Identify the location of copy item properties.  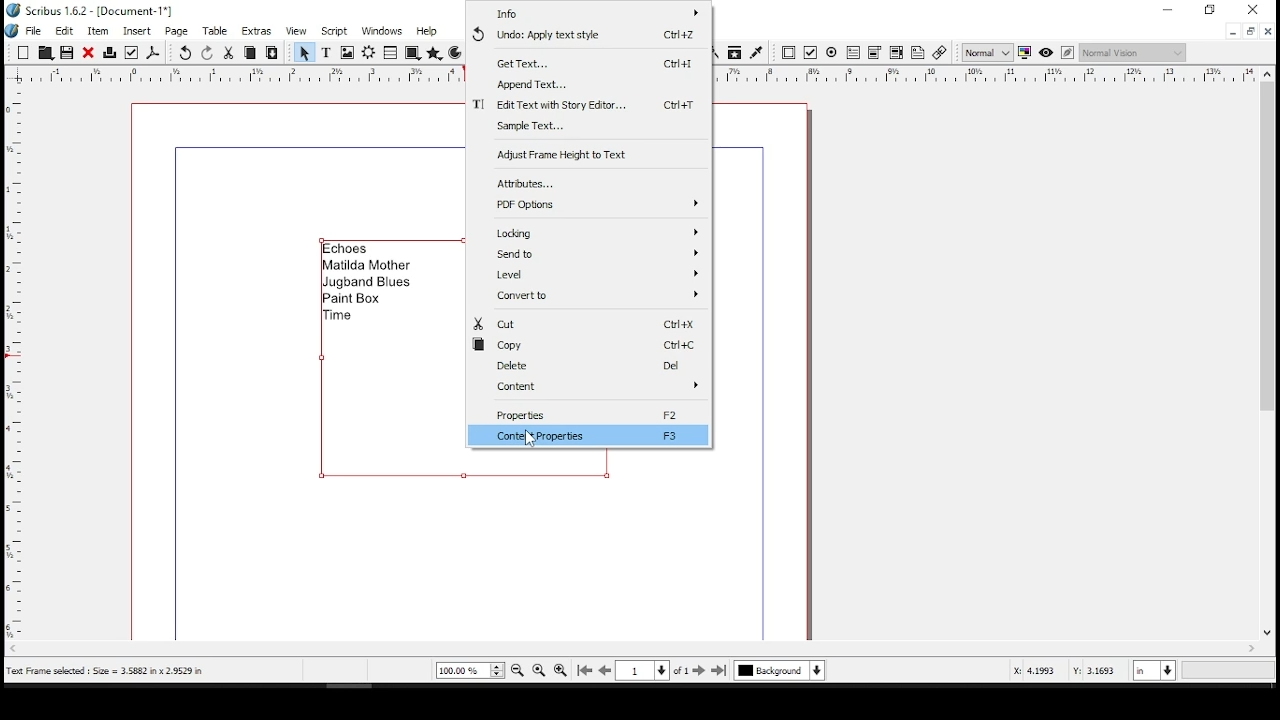
(732, 52).